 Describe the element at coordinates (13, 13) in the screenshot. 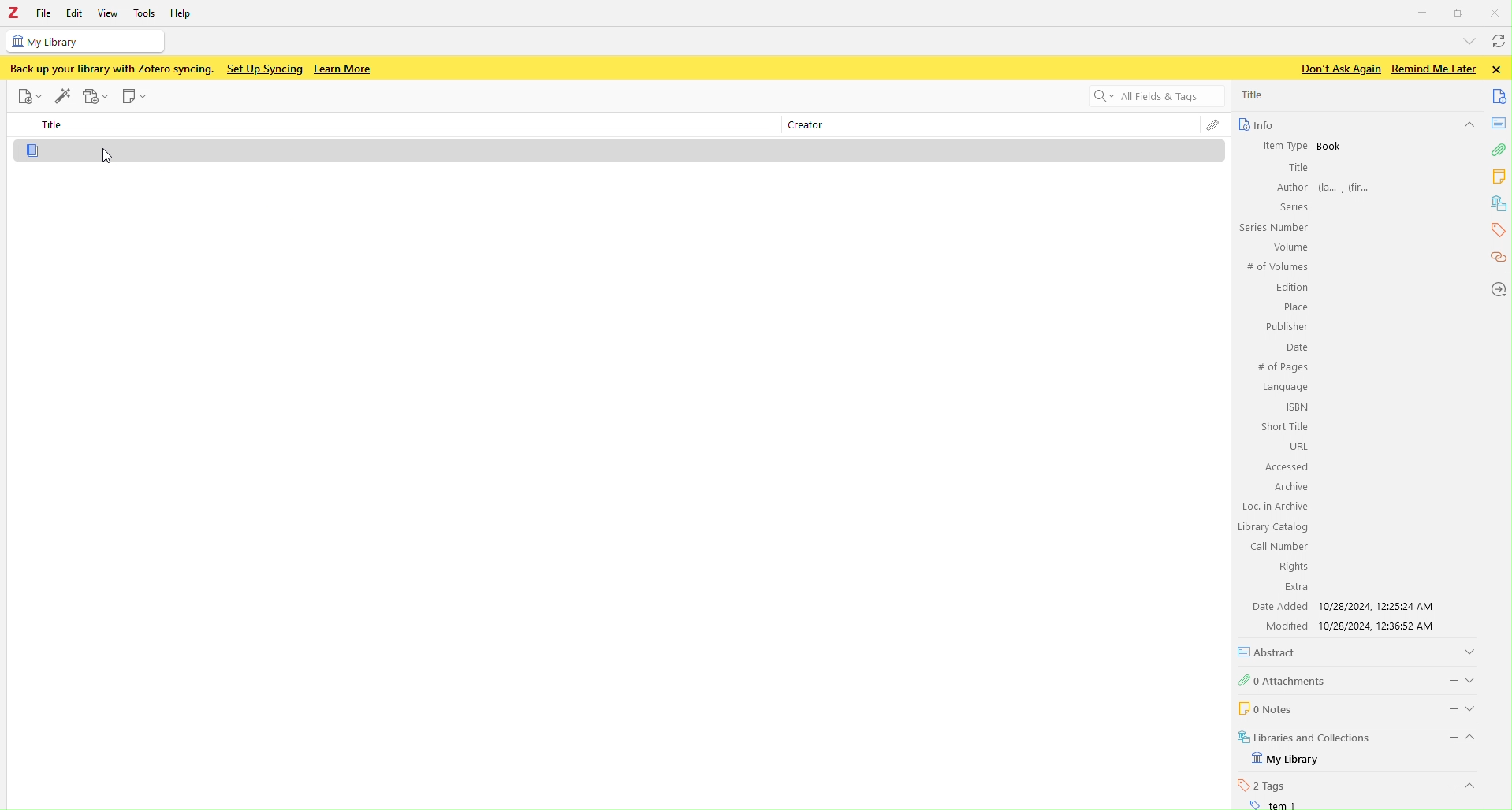

I see `Zotero` at that location.